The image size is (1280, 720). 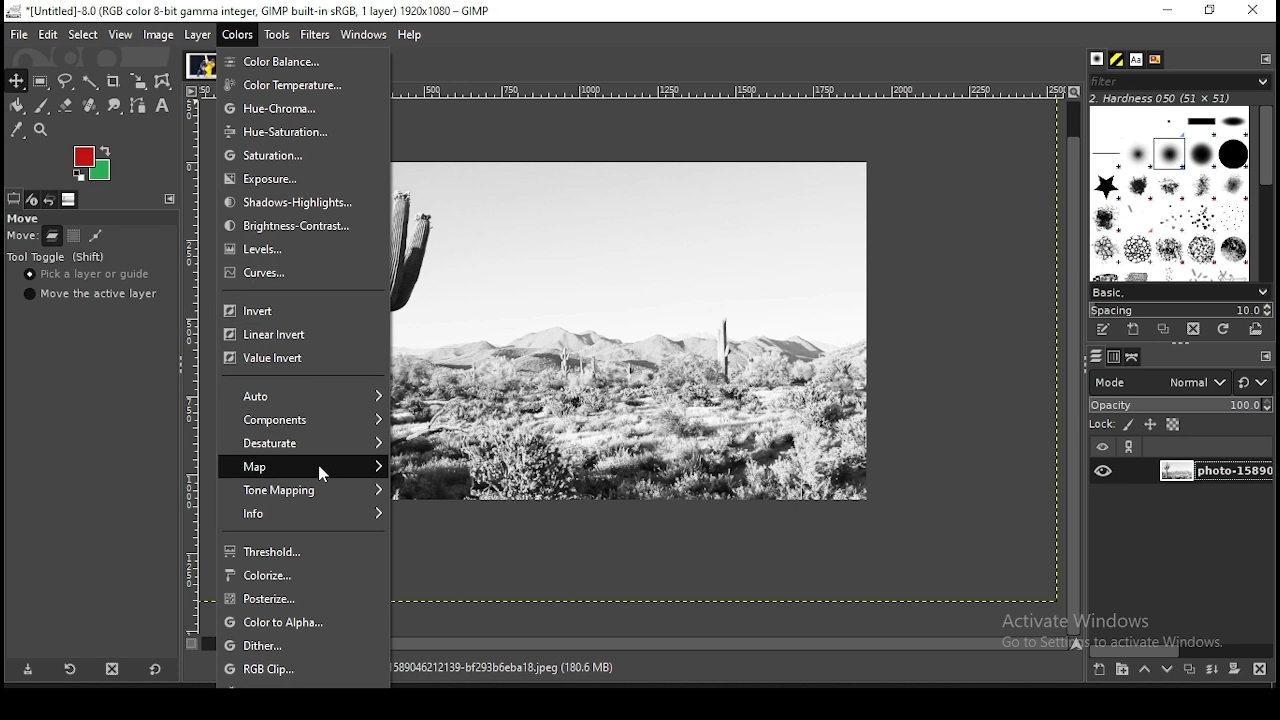 I want to click on layer, so click(x=199, y=35).